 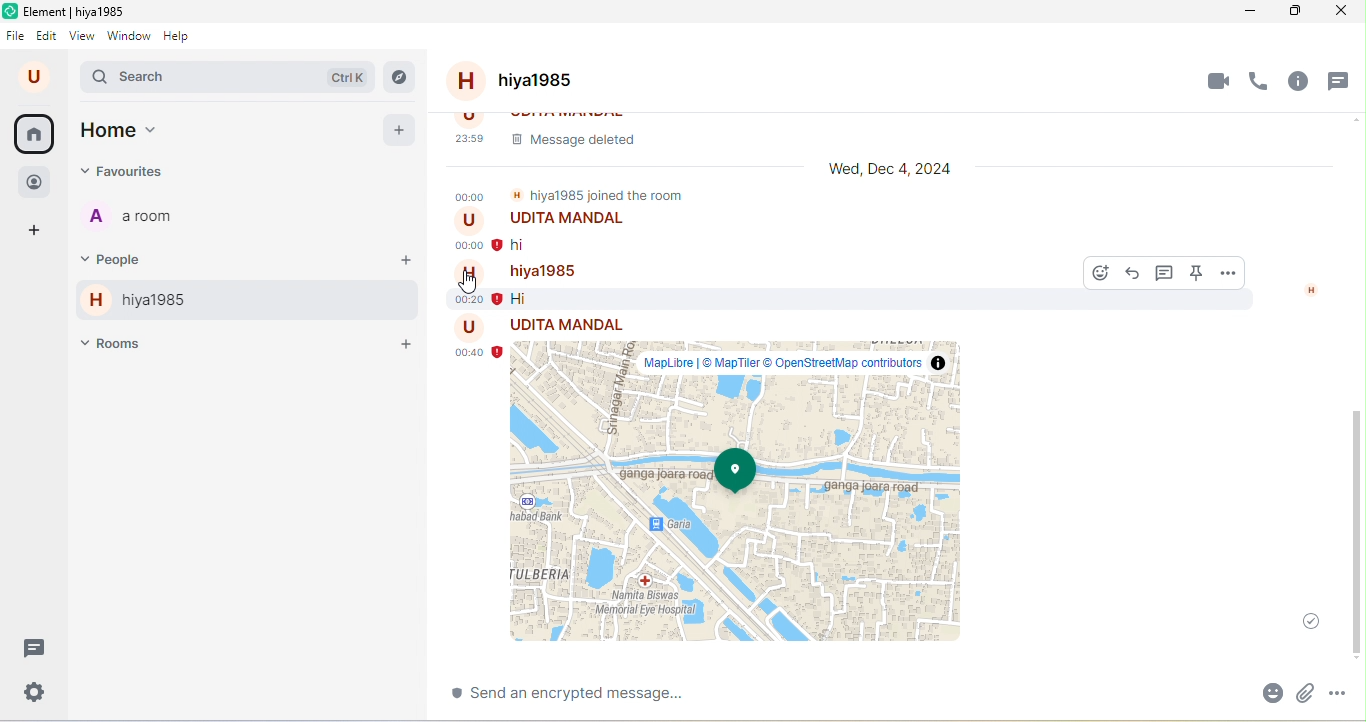 What do you see at coordinates (1198, 275) in the screenshot?
I see `pin` at bounding box center [1198, 275].